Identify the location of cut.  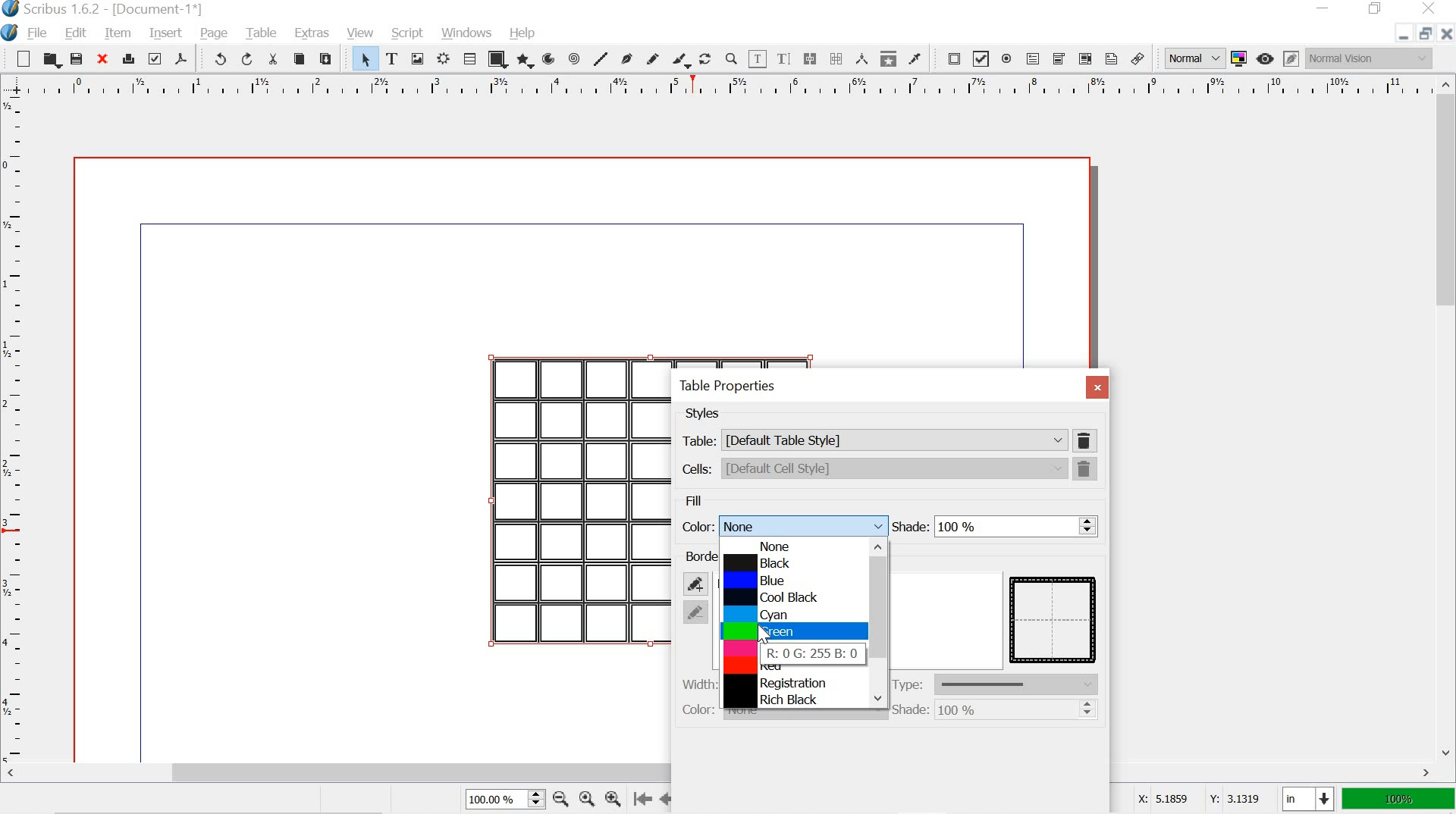
(273, 61).